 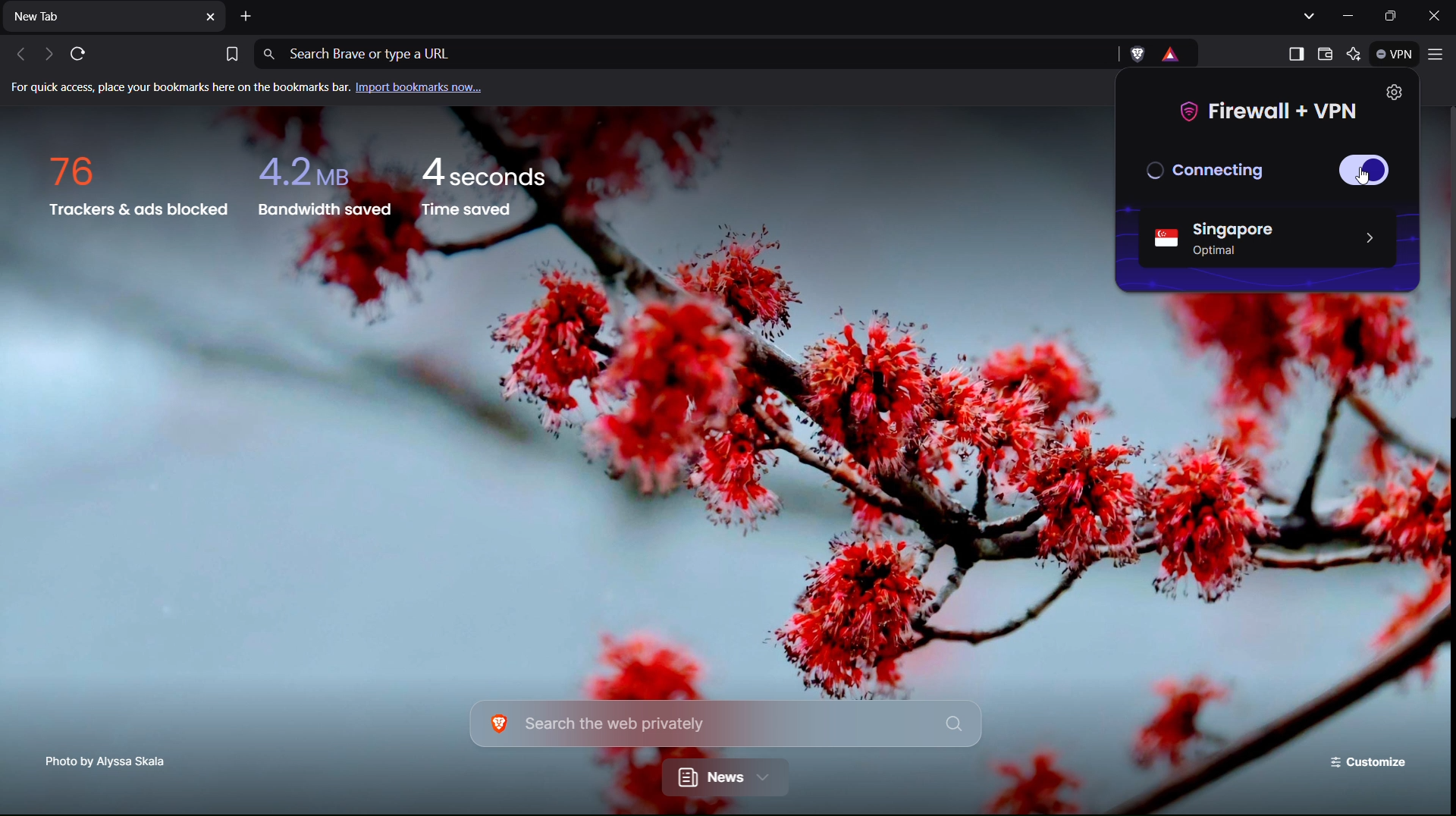 What do you see at coordinates (1363, 178) in the screenshot?
I see `` at bounding box center [1363, 178].